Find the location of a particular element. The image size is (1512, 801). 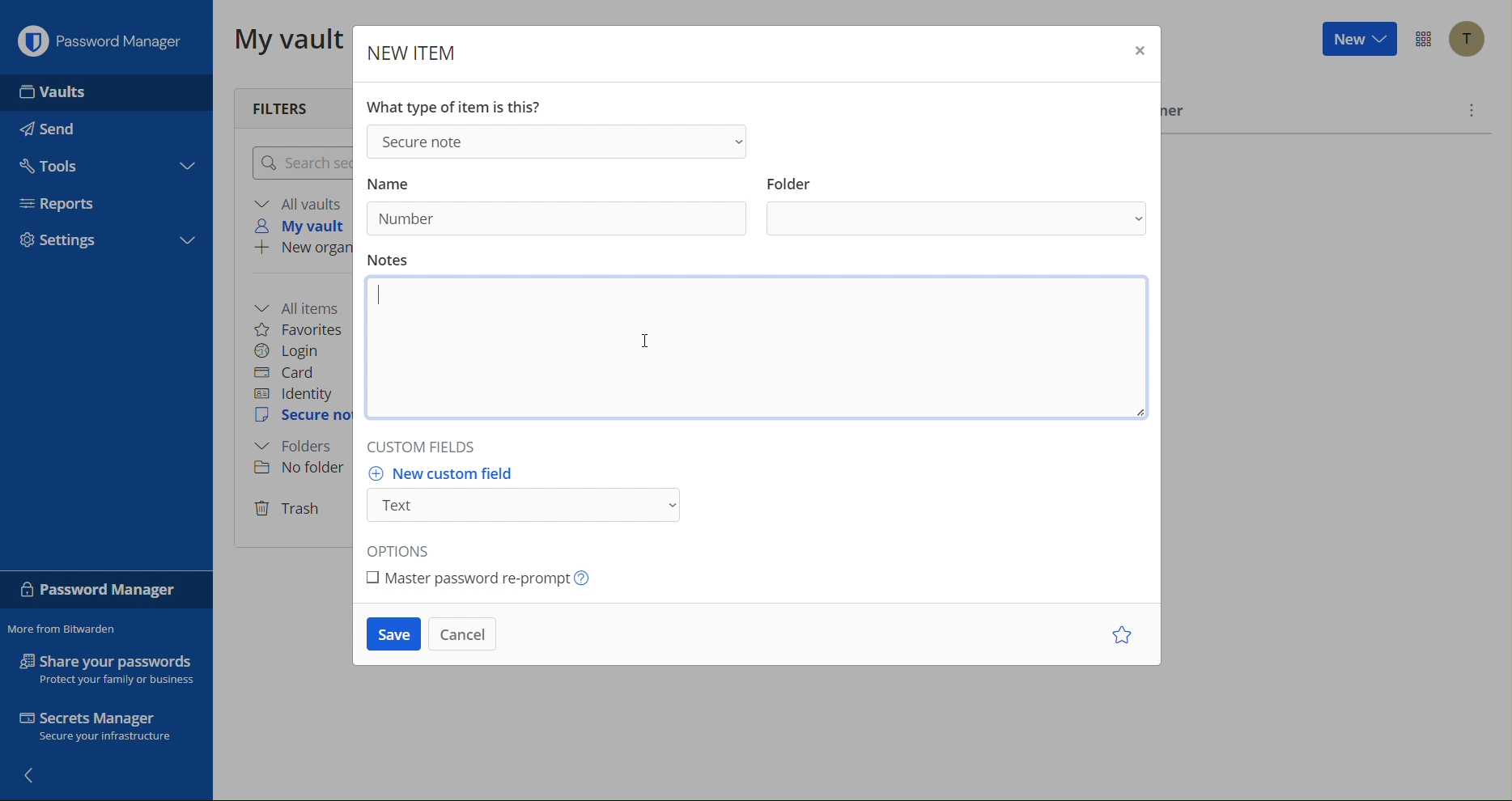

Options is located at coordinates (408, 549).